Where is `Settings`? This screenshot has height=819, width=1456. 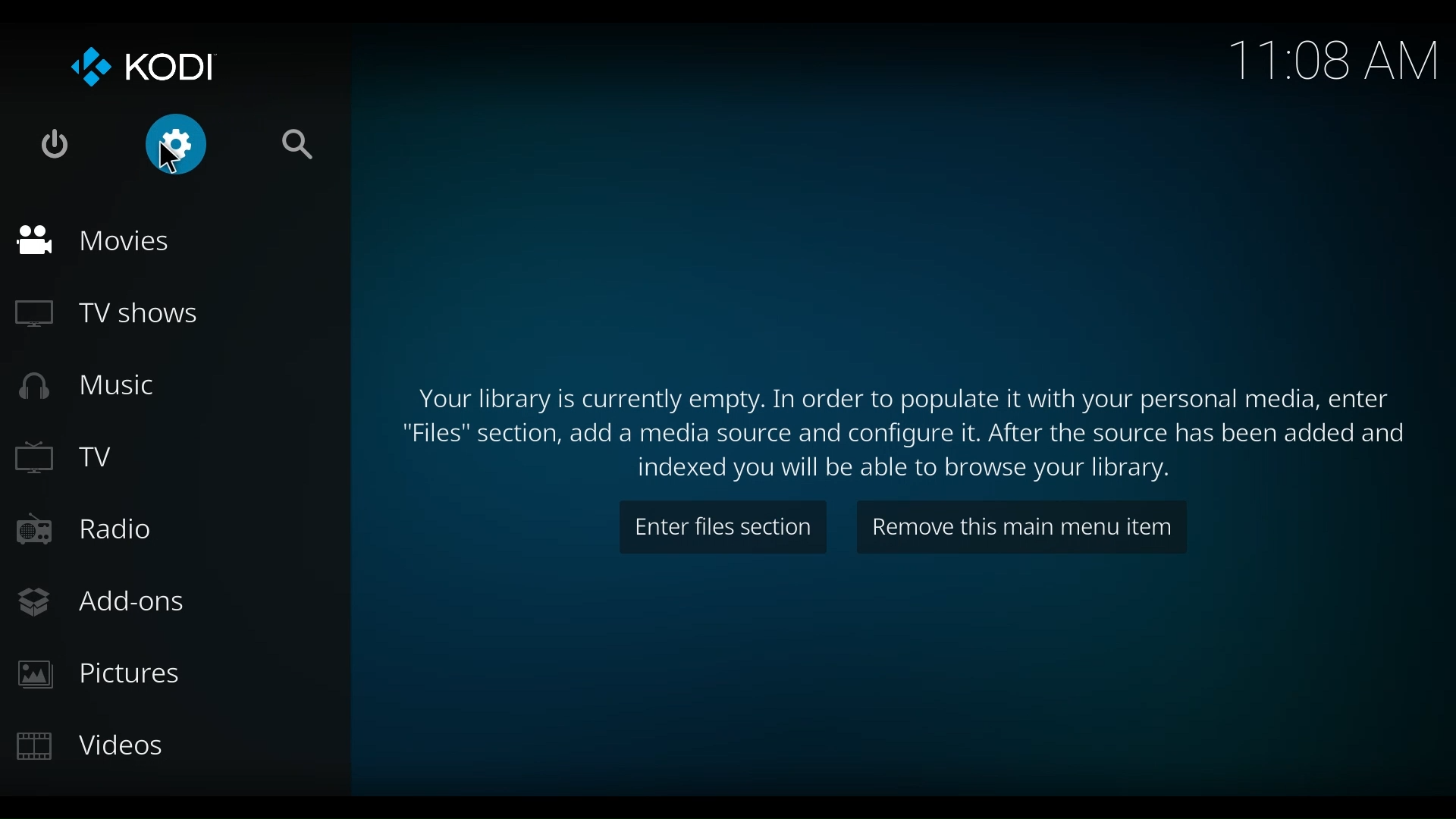 Settings is located at coordinates (177, 143).